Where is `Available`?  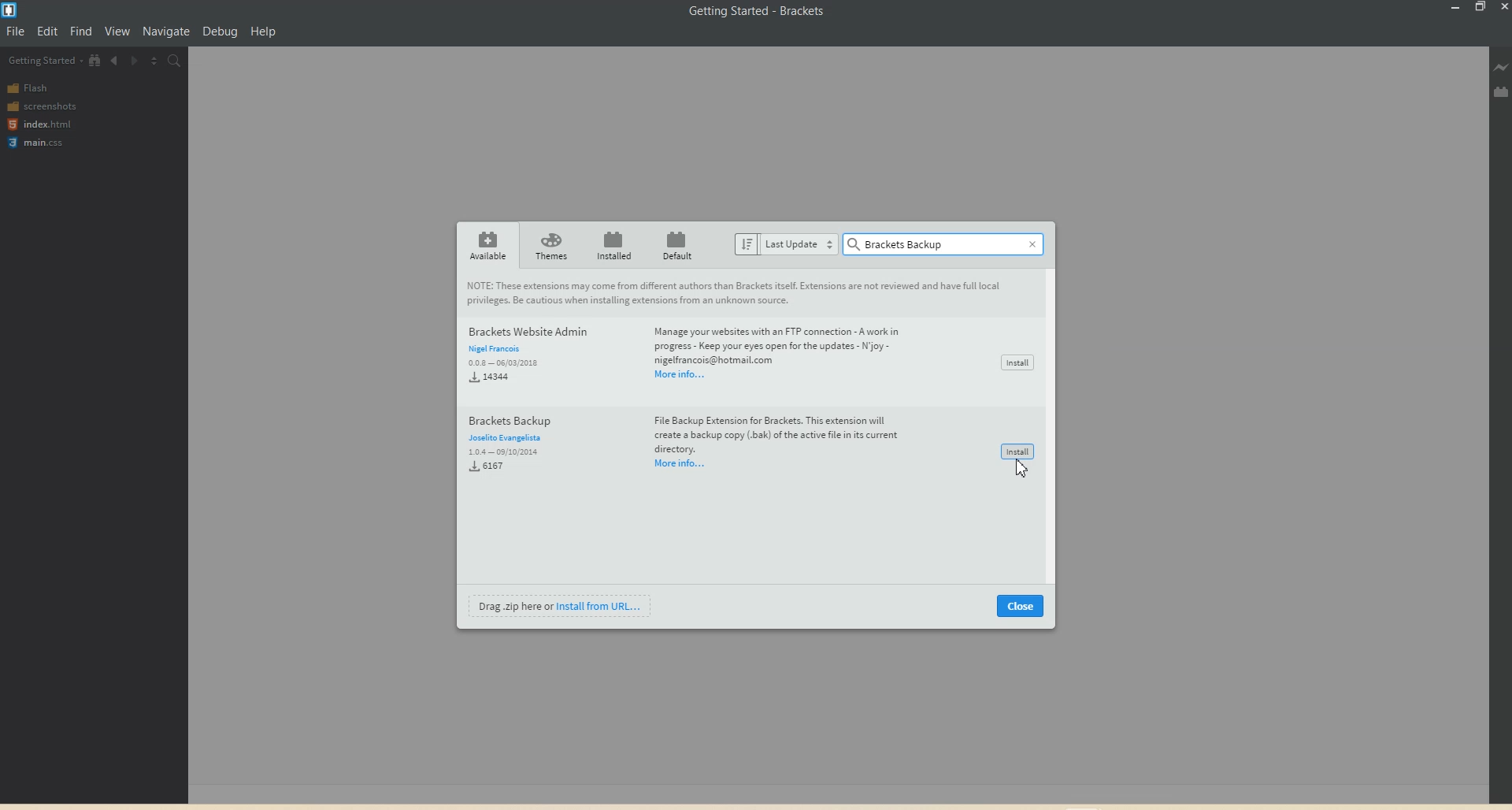
Available is located at coordinates (487, 245).